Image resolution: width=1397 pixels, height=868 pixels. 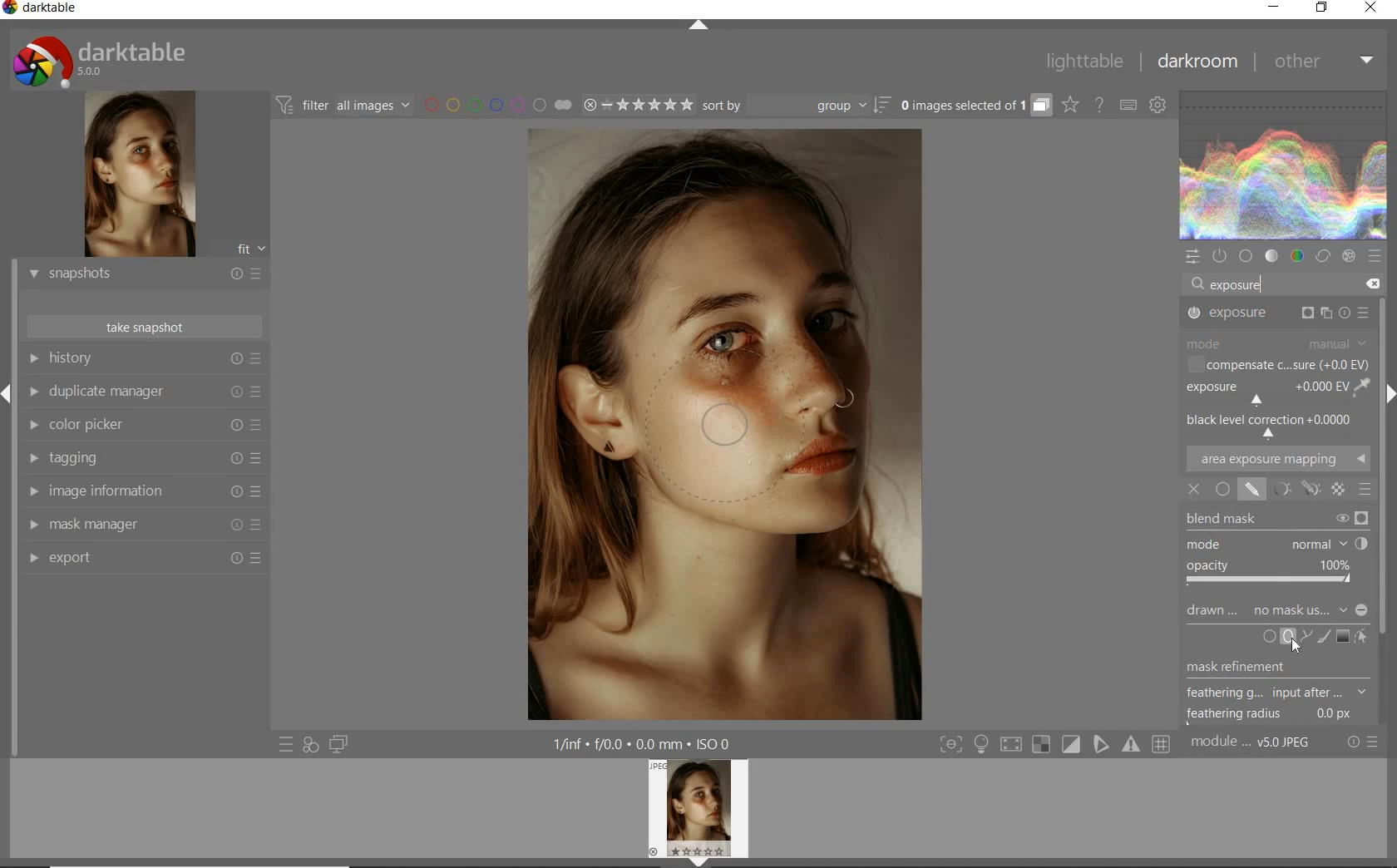 What do you see at coordinates (1276, 343) in the screenshot?
I see `MODULE` at bounding box center [1276, 343].